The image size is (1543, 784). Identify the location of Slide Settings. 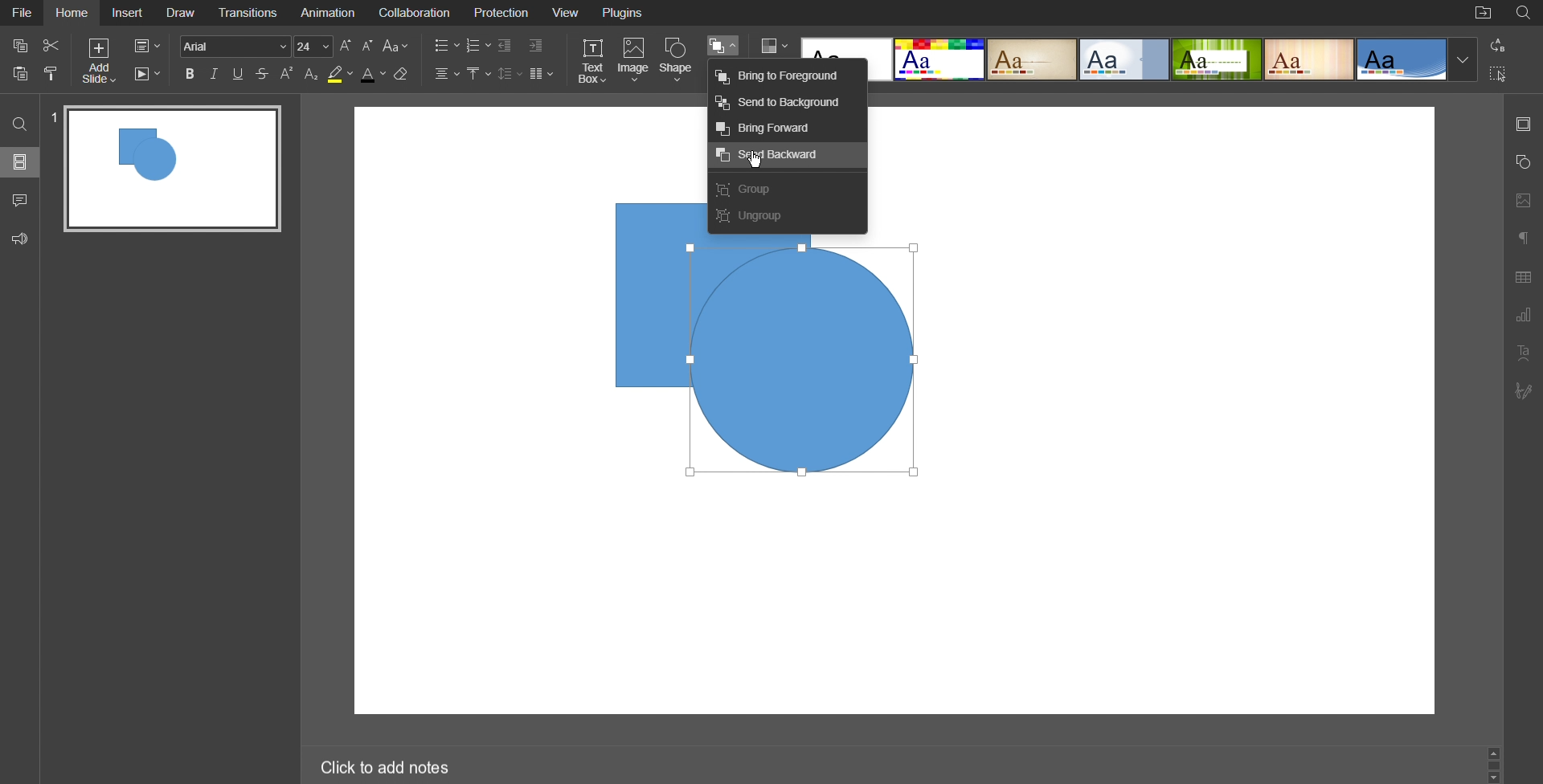
(148, 43).